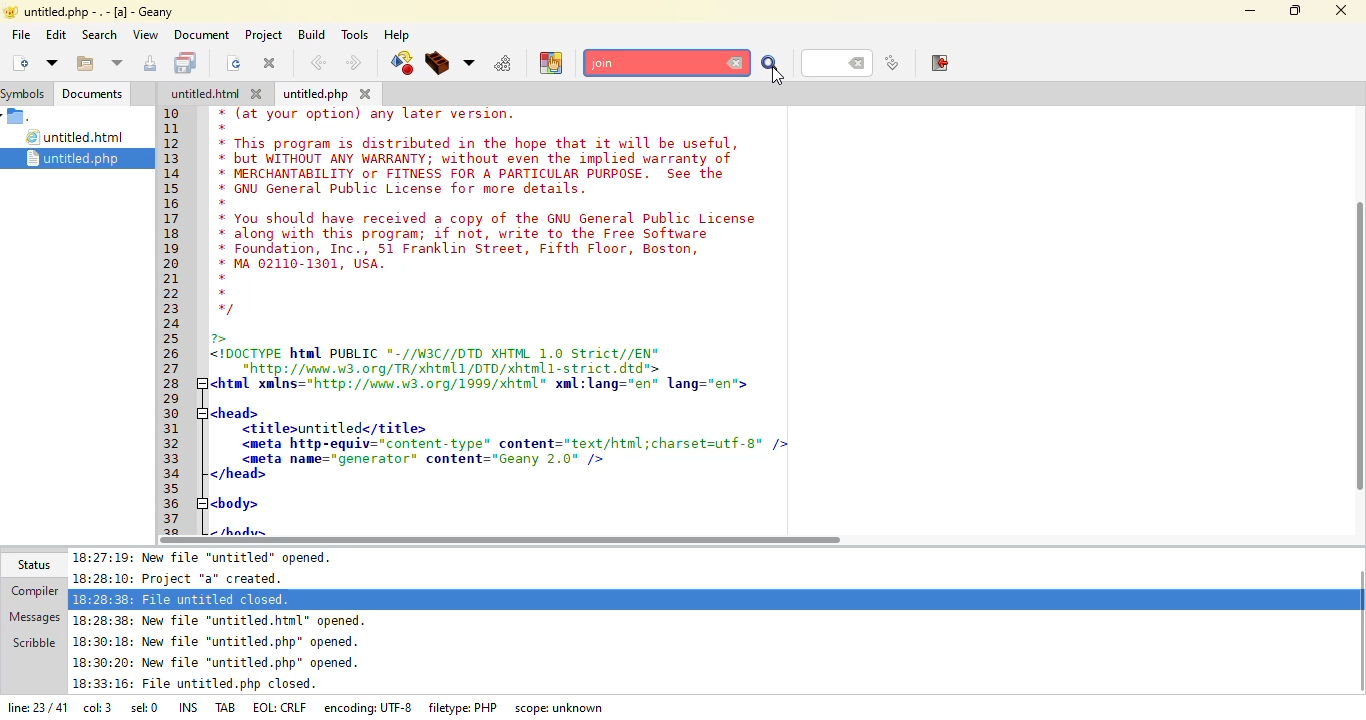  I want to click on 30, so click(176, 414).